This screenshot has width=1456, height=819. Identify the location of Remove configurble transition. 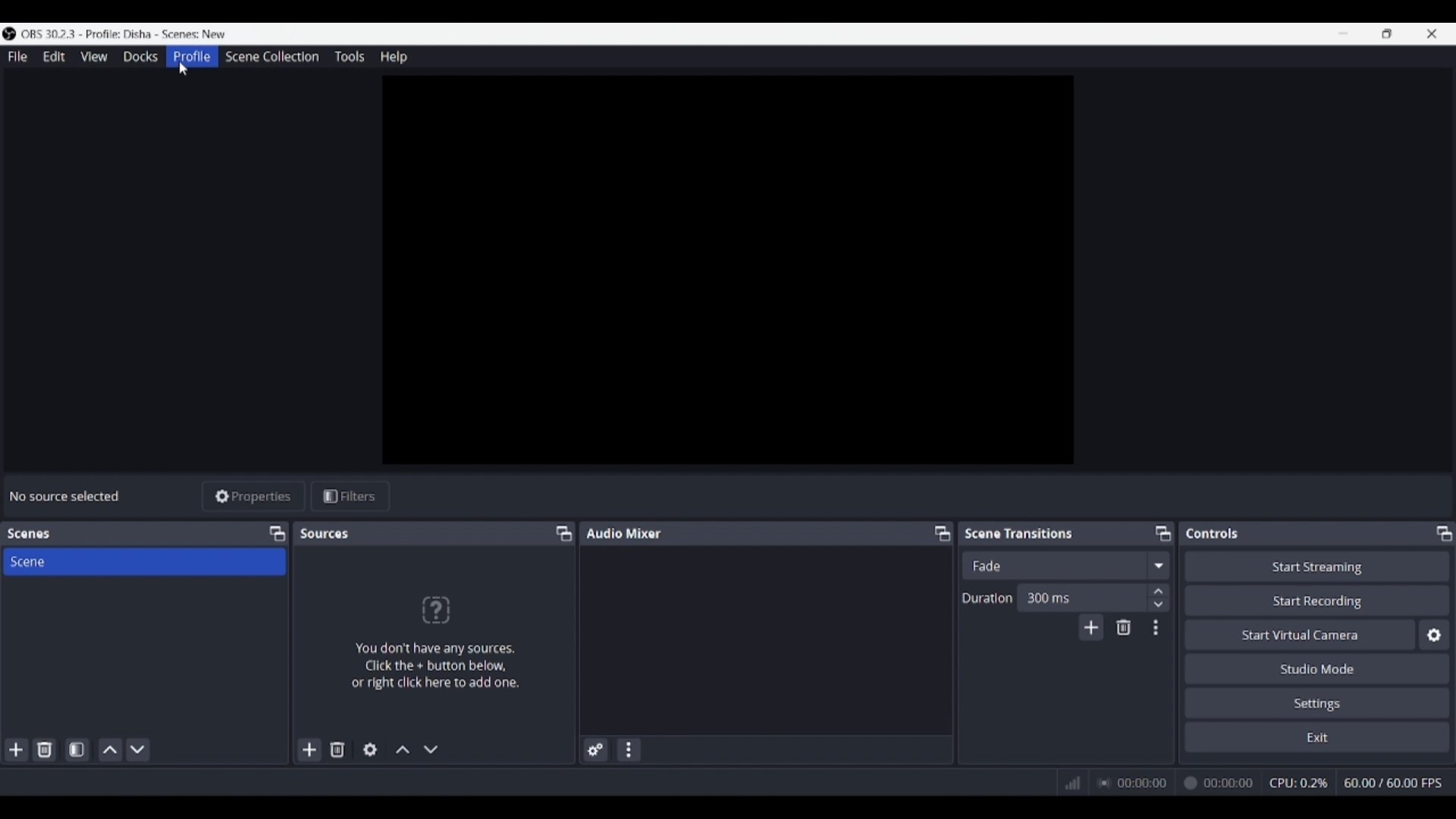
(1124, 627).